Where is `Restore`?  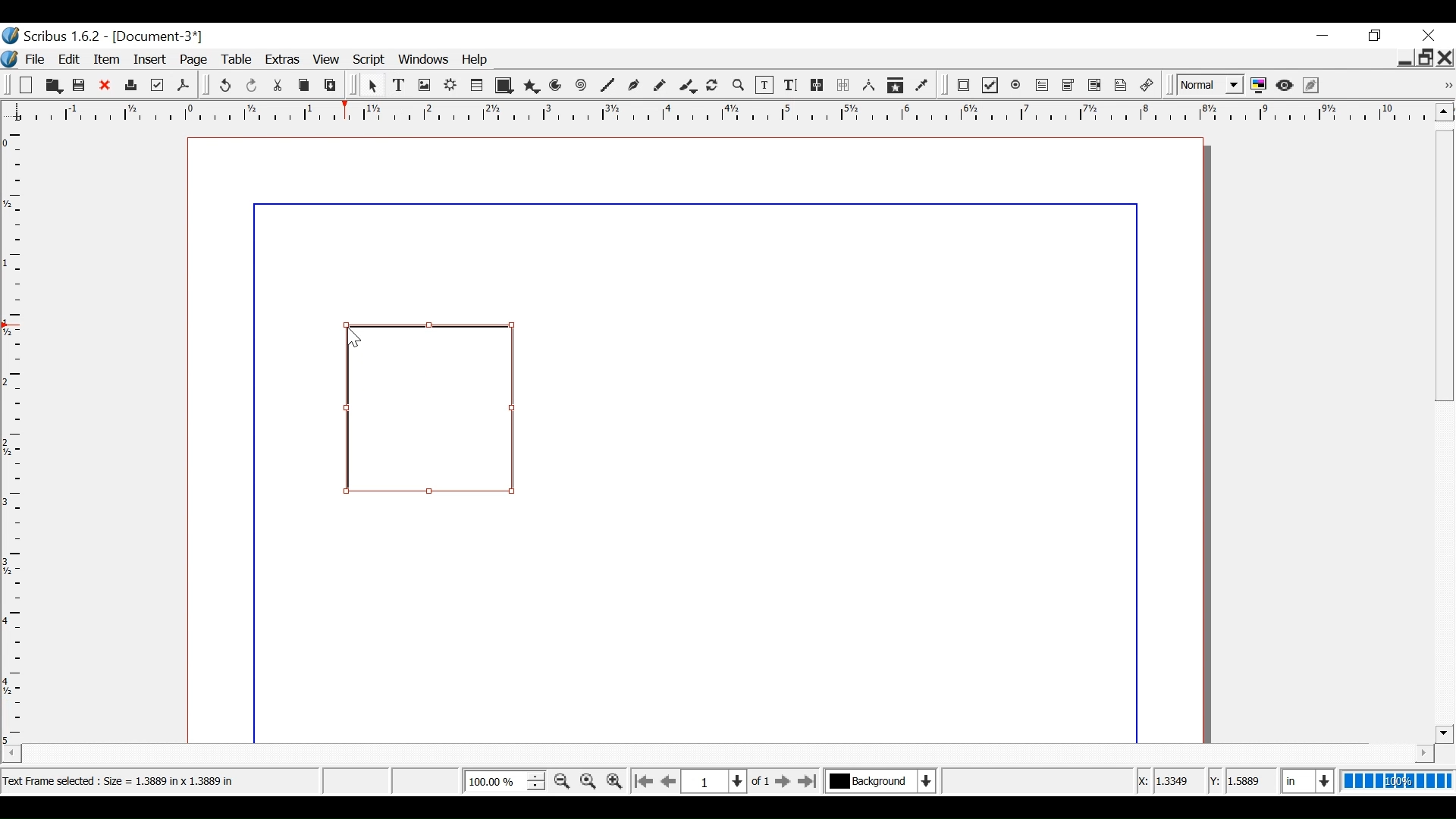
Restore is located at coordinates (1426, 56).